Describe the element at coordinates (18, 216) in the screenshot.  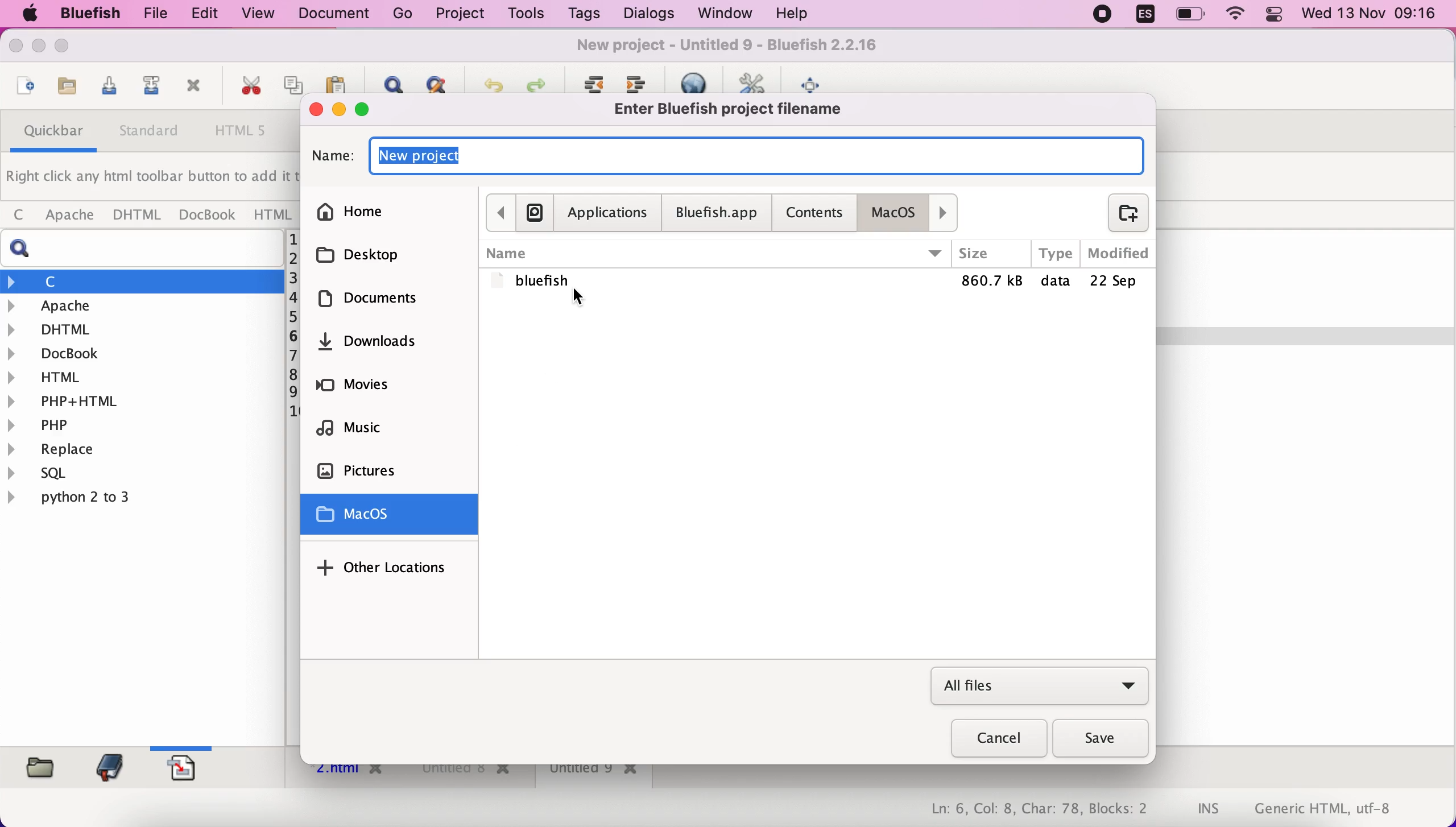
I see `c` at that location.